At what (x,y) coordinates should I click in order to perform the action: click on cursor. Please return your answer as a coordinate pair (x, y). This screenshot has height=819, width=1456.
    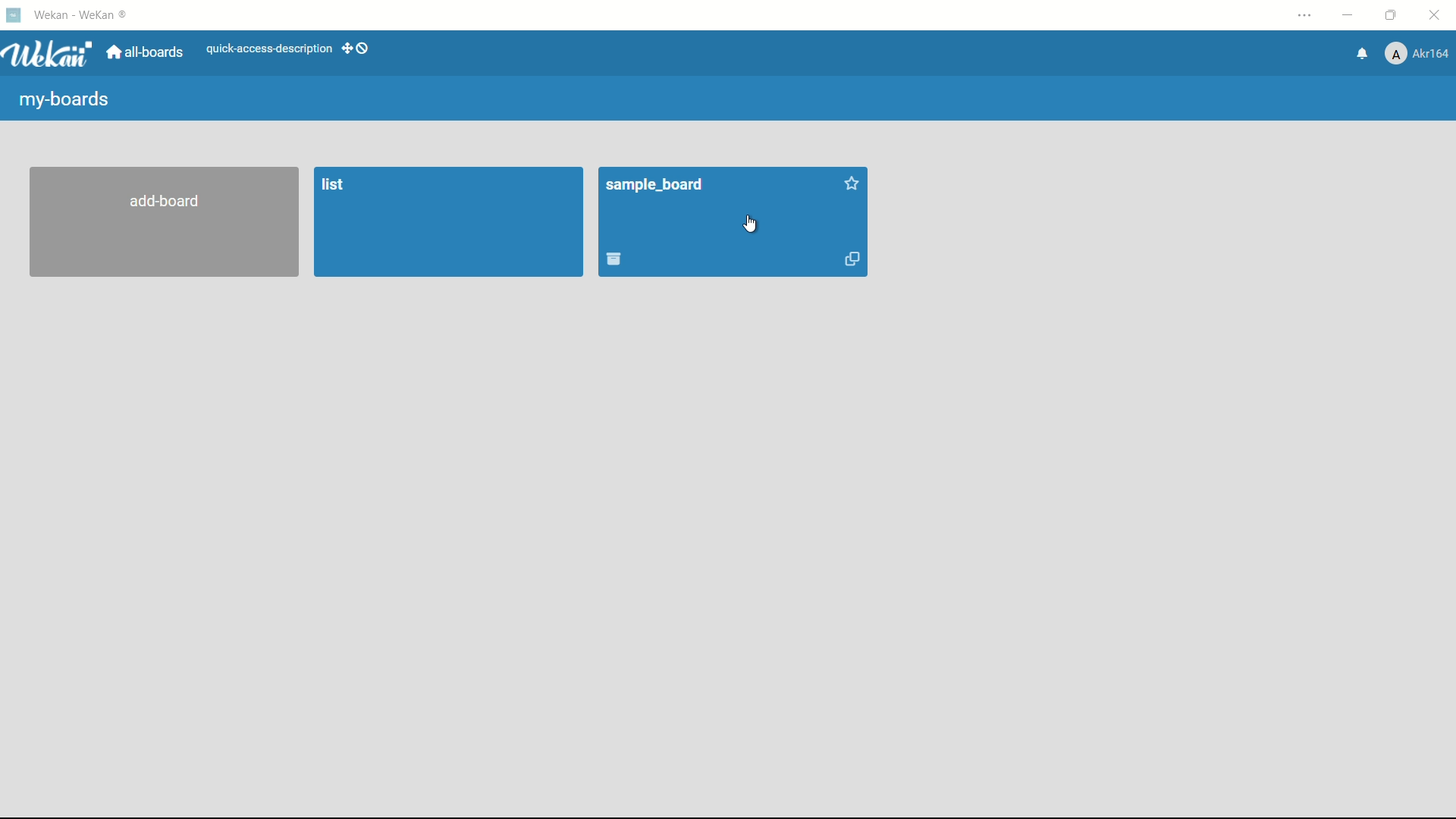
    Looking at the image, I should click on (748, 223).